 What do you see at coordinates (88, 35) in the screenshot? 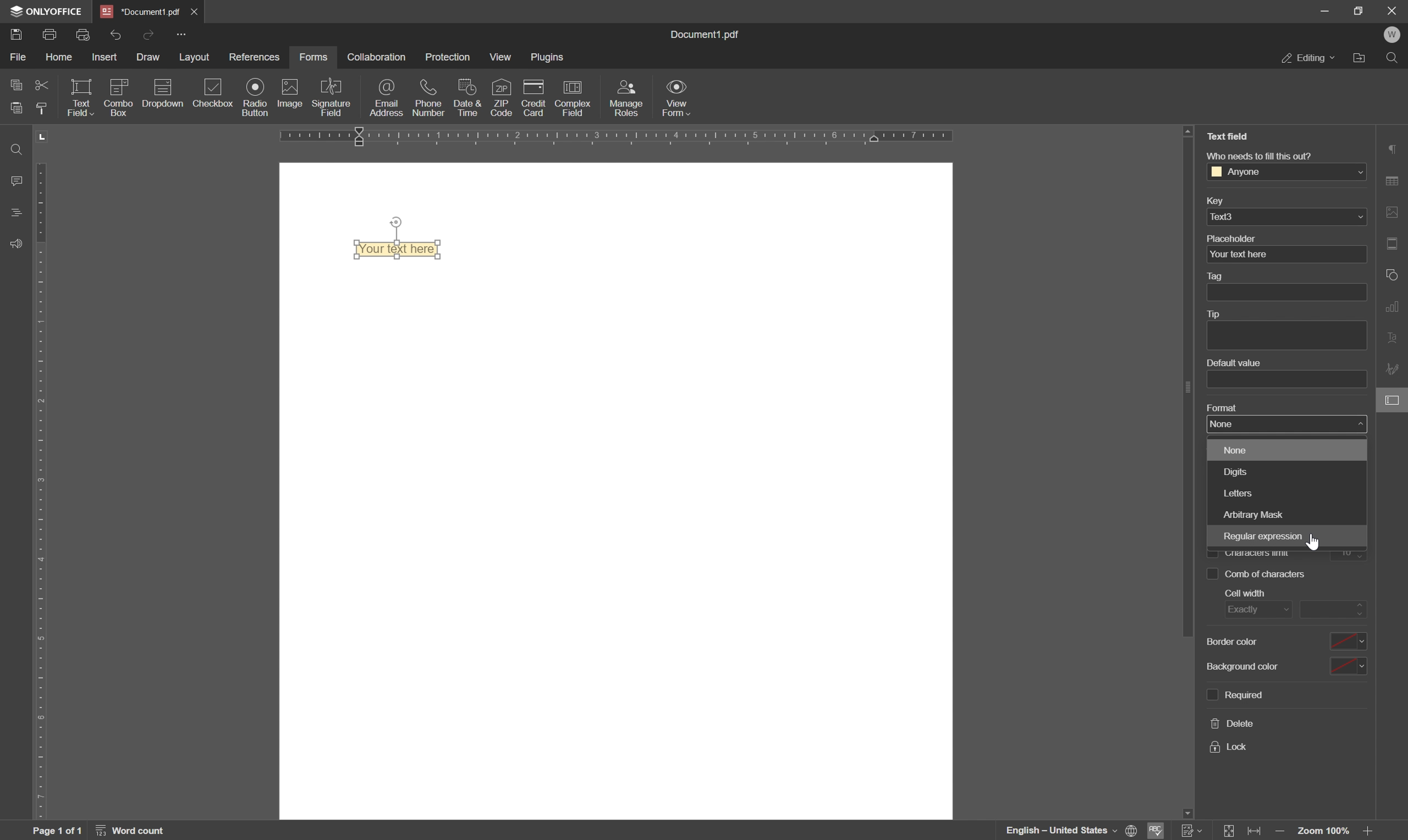
I see `quick print` at bounding box center [88, 35].